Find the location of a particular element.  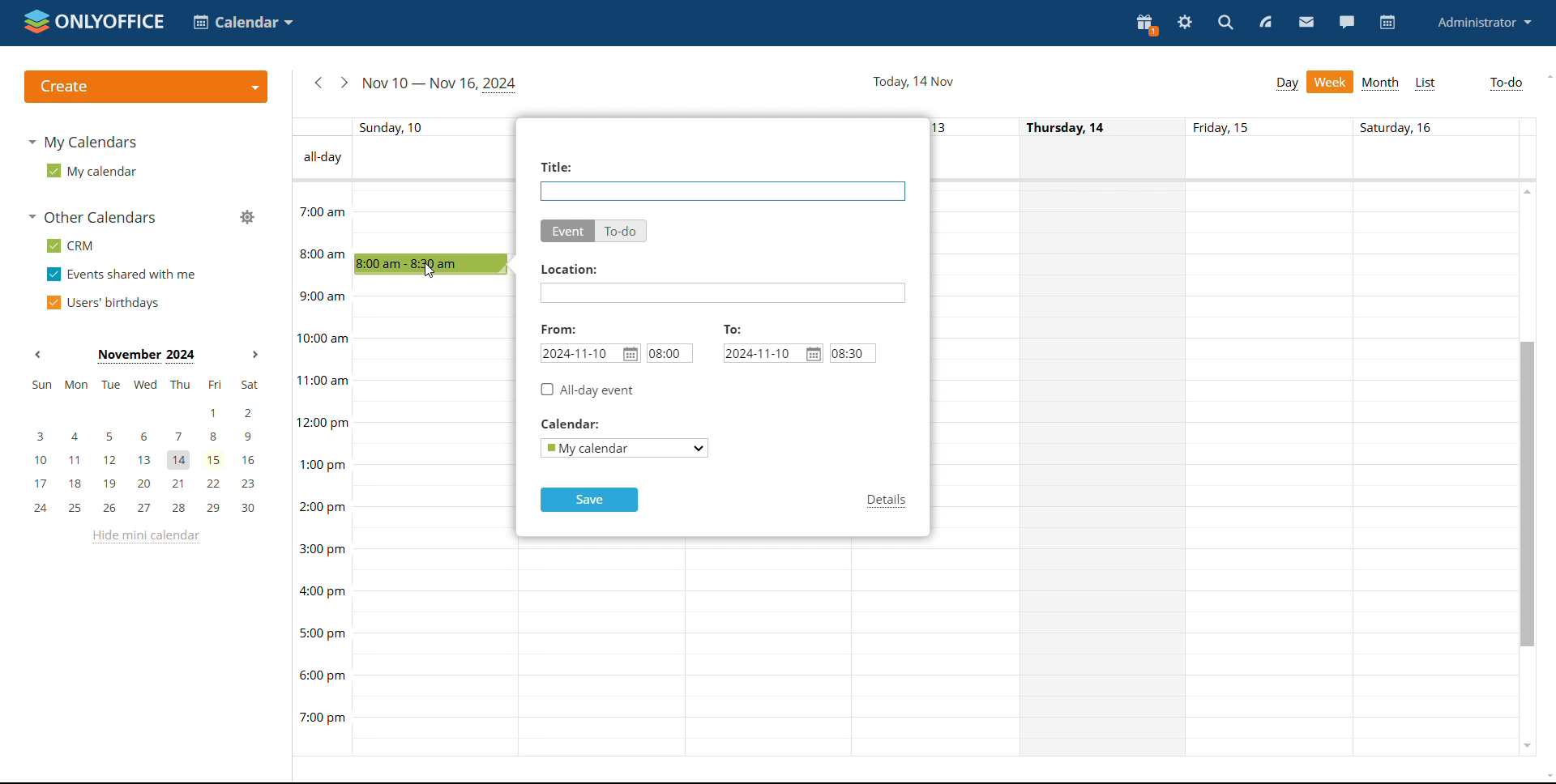

day view is located at coordinates (1287, 84).